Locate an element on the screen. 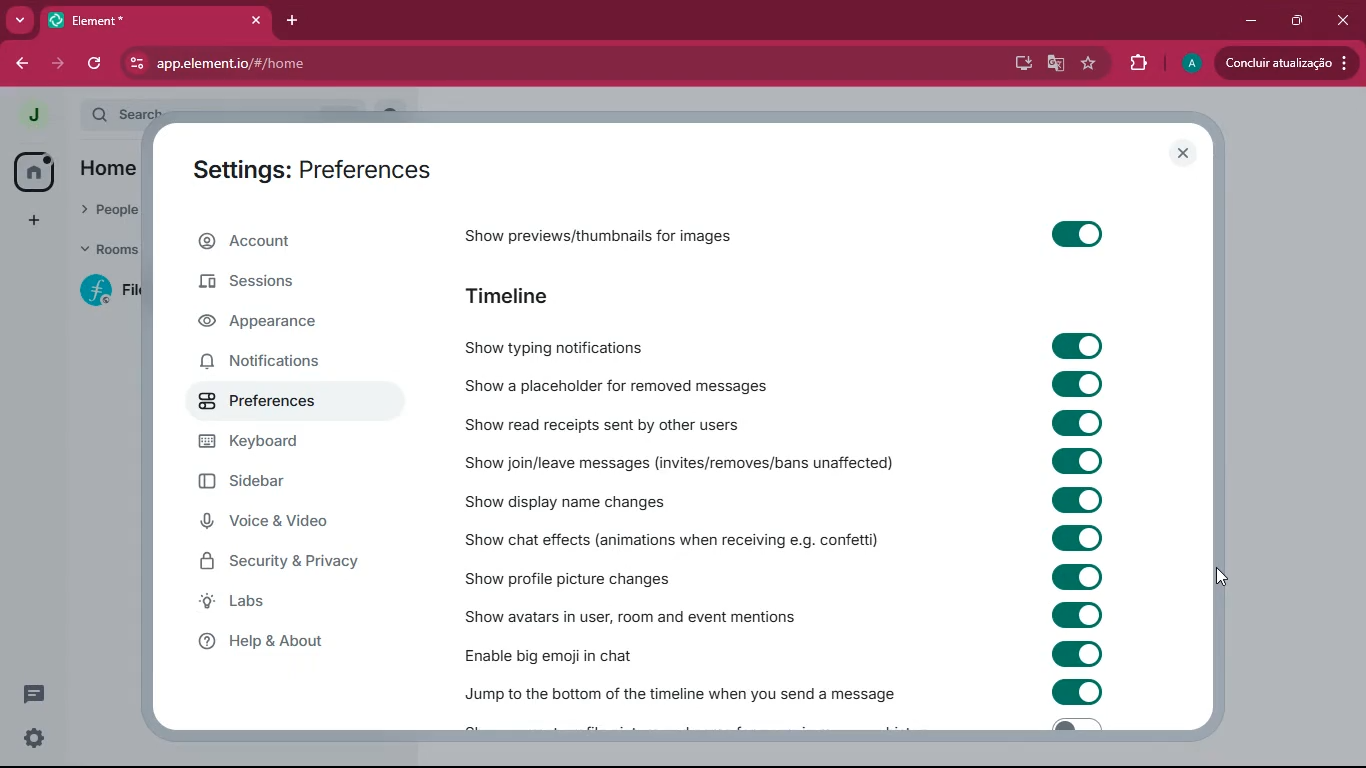  forward is located at coordinates (61, 64).